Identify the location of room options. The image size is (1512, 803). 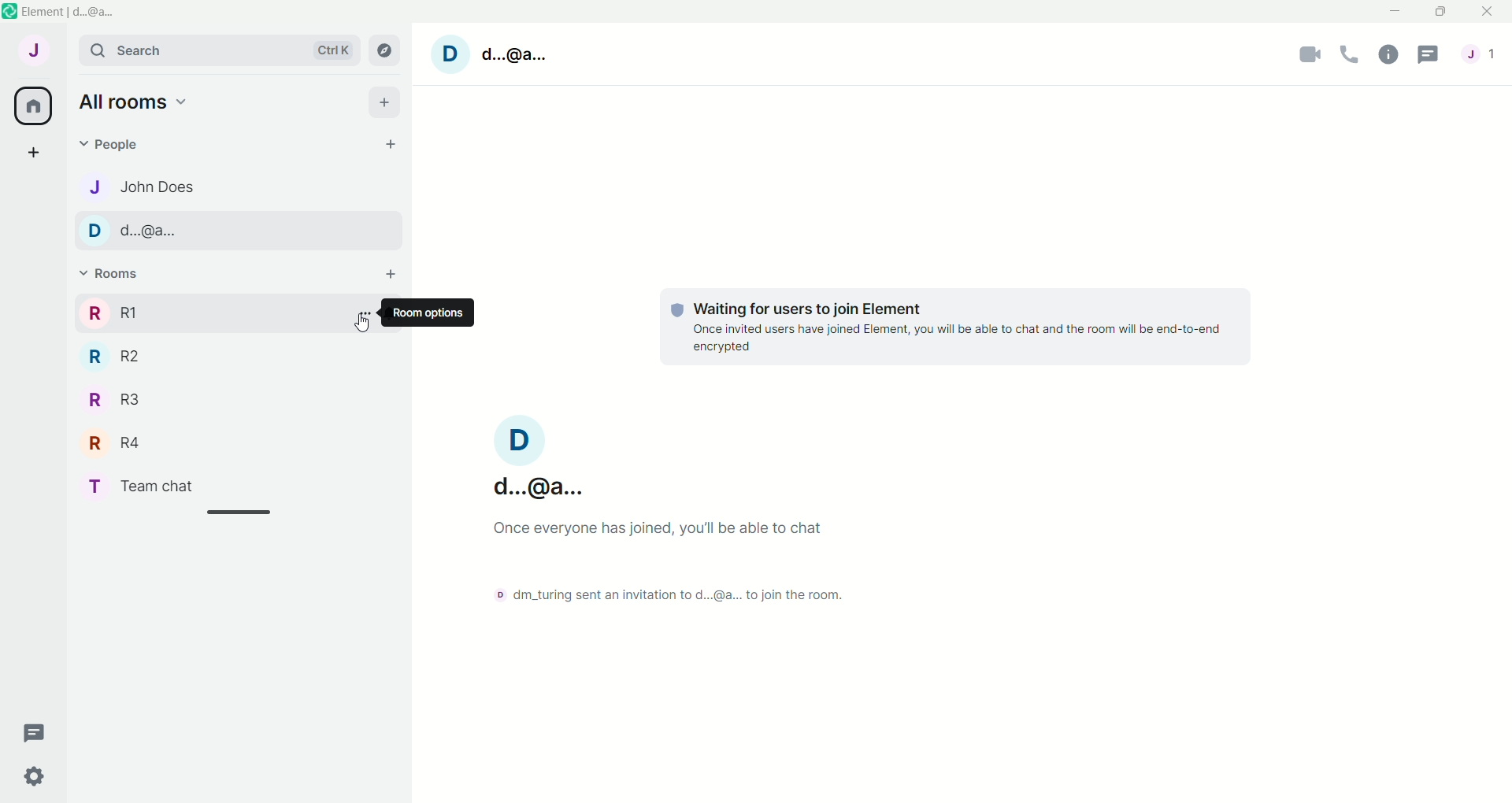
(434, 313).